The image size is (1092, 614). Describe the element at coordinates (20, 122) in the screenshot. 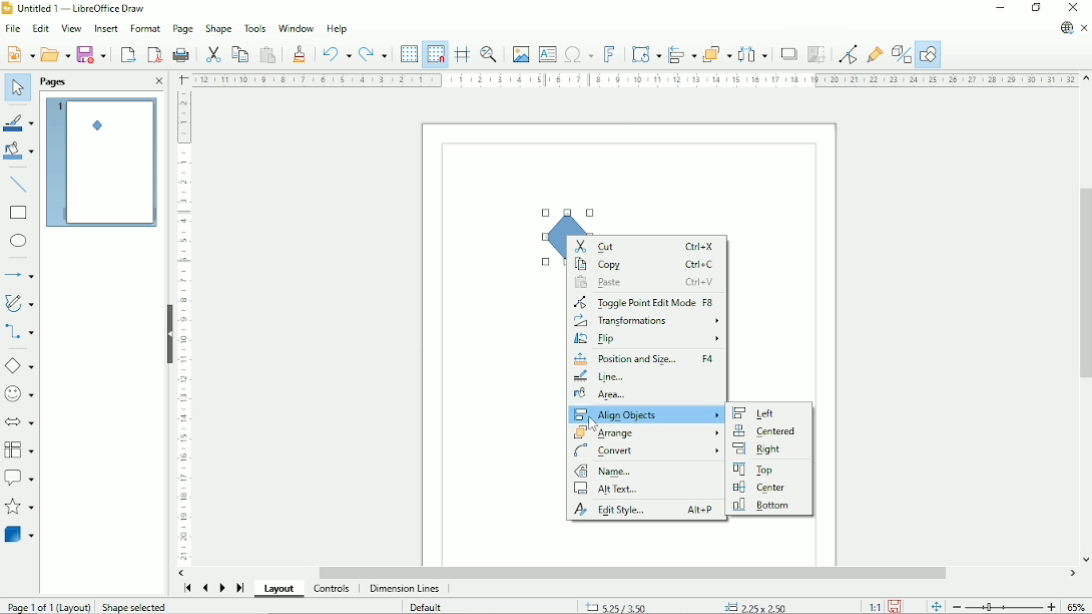

I see `Line color` at that location.